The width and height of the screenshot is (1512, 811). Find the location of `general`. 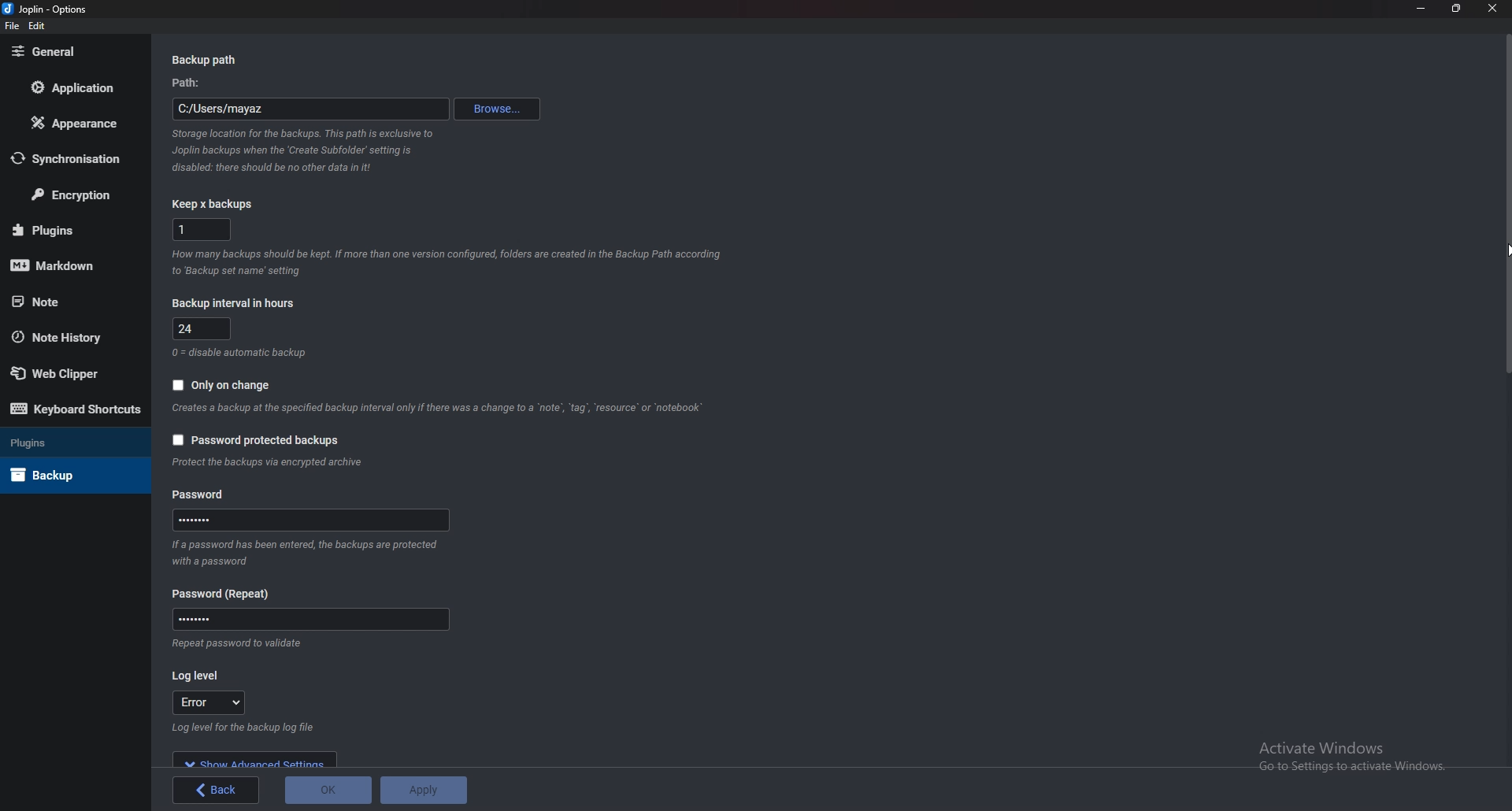

general is located at coordinates (68, 52).